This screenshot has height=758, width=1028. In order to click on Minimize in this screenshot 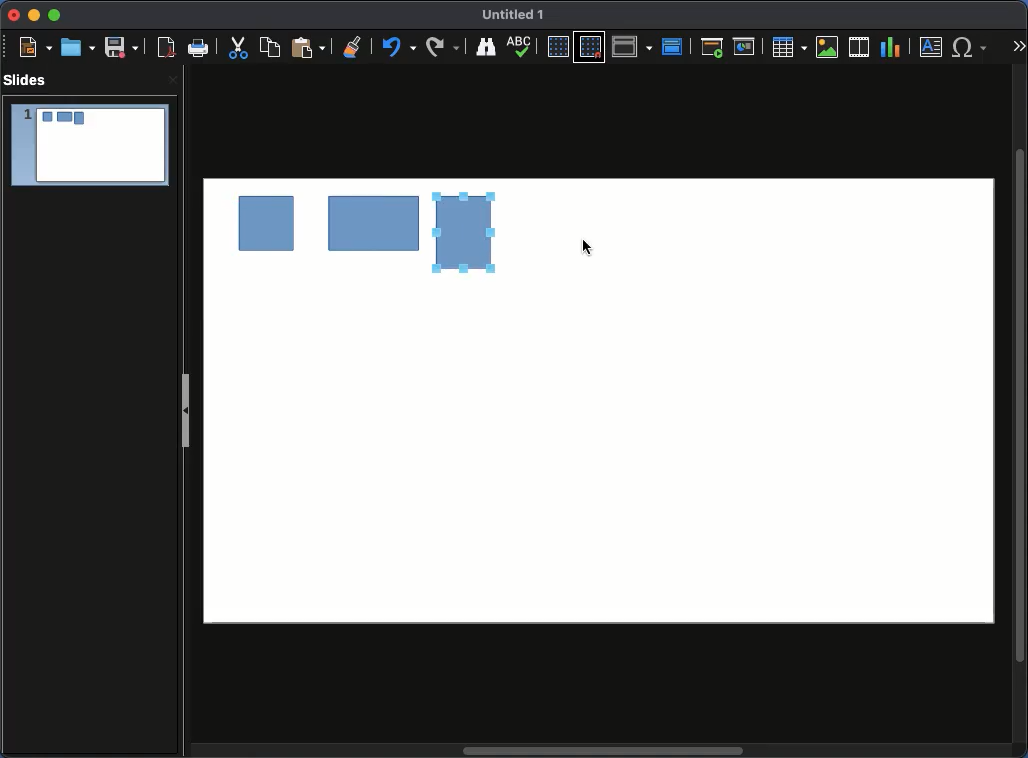, I will do `click(34, 16)`.